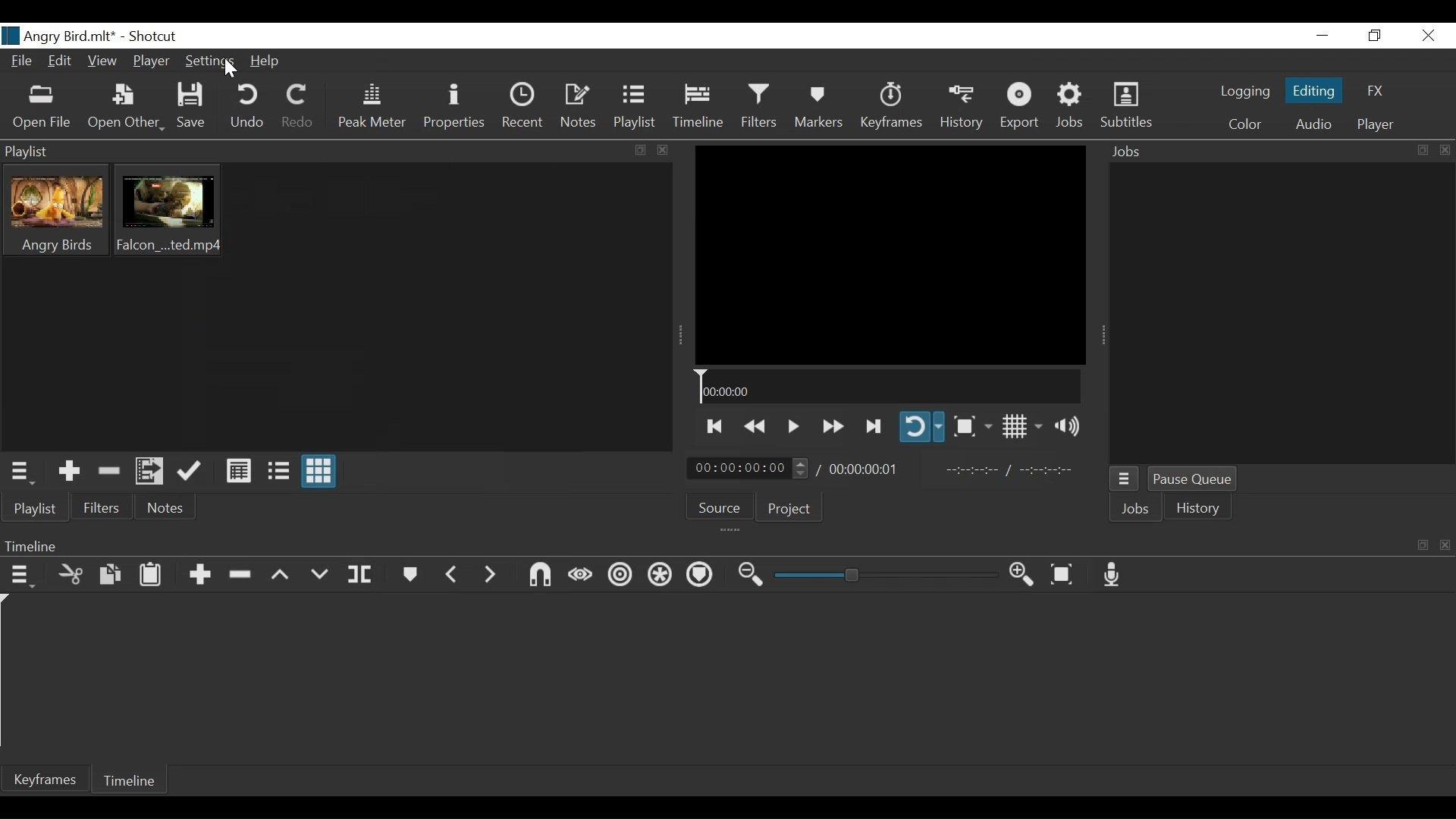 The height and width of the screenshot is (819, 1456). What do you see at coordinates (820, 108) in the screenshot?
I see `Markers` at bounding box center [820, 108].